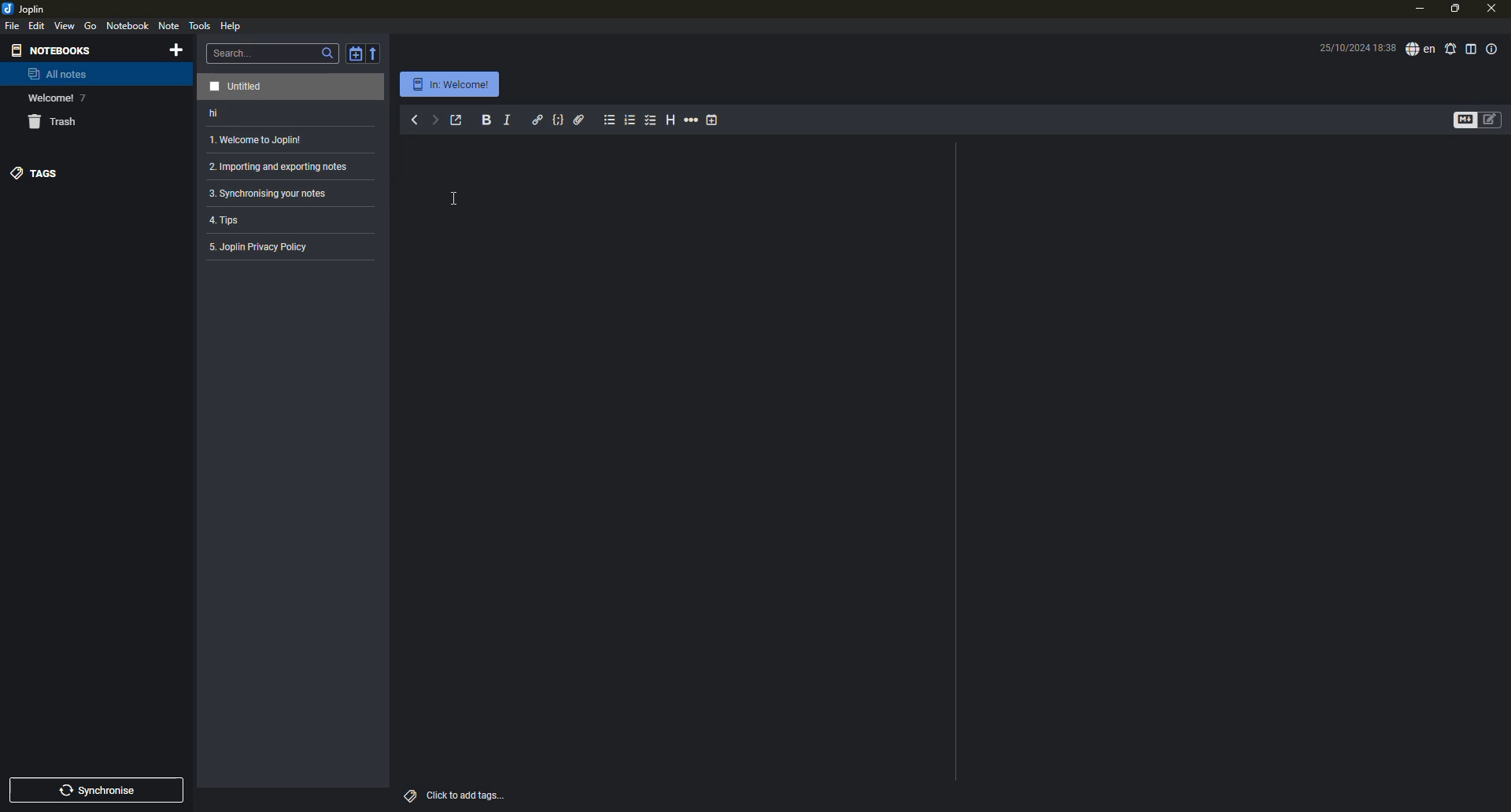 Image resolution: width=1511 pixels, height=812 pixels. Describe the element at coordinates (579, 119) in the screenshot. I see `attach file` at that location.